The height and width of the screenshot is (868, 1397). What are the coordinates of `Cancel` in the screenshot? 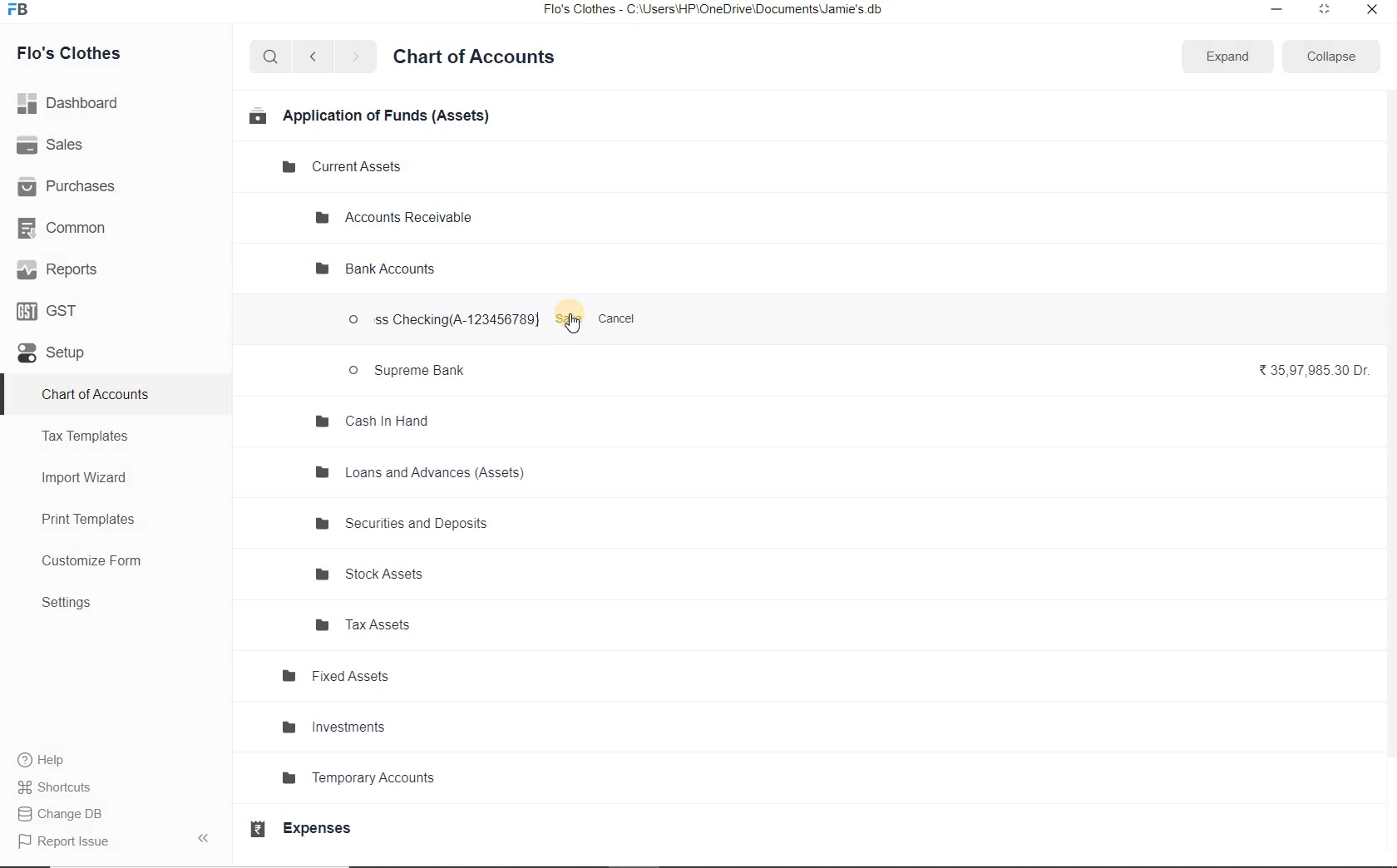 It's located at (620, 320).